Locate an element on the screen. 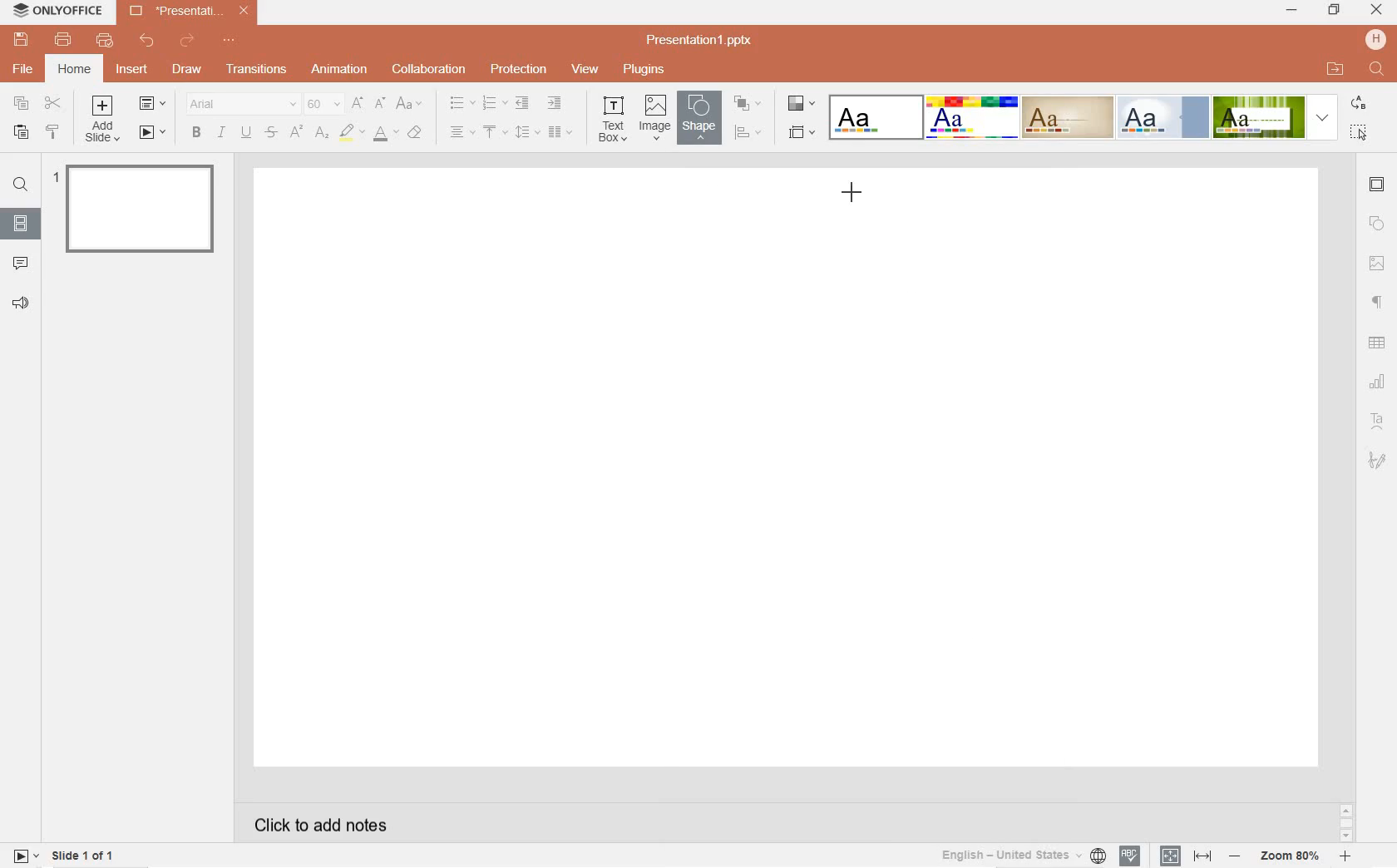 The width and height of the screenshot is (1397, 868). feedback & support is located at coordinates (20, 303).